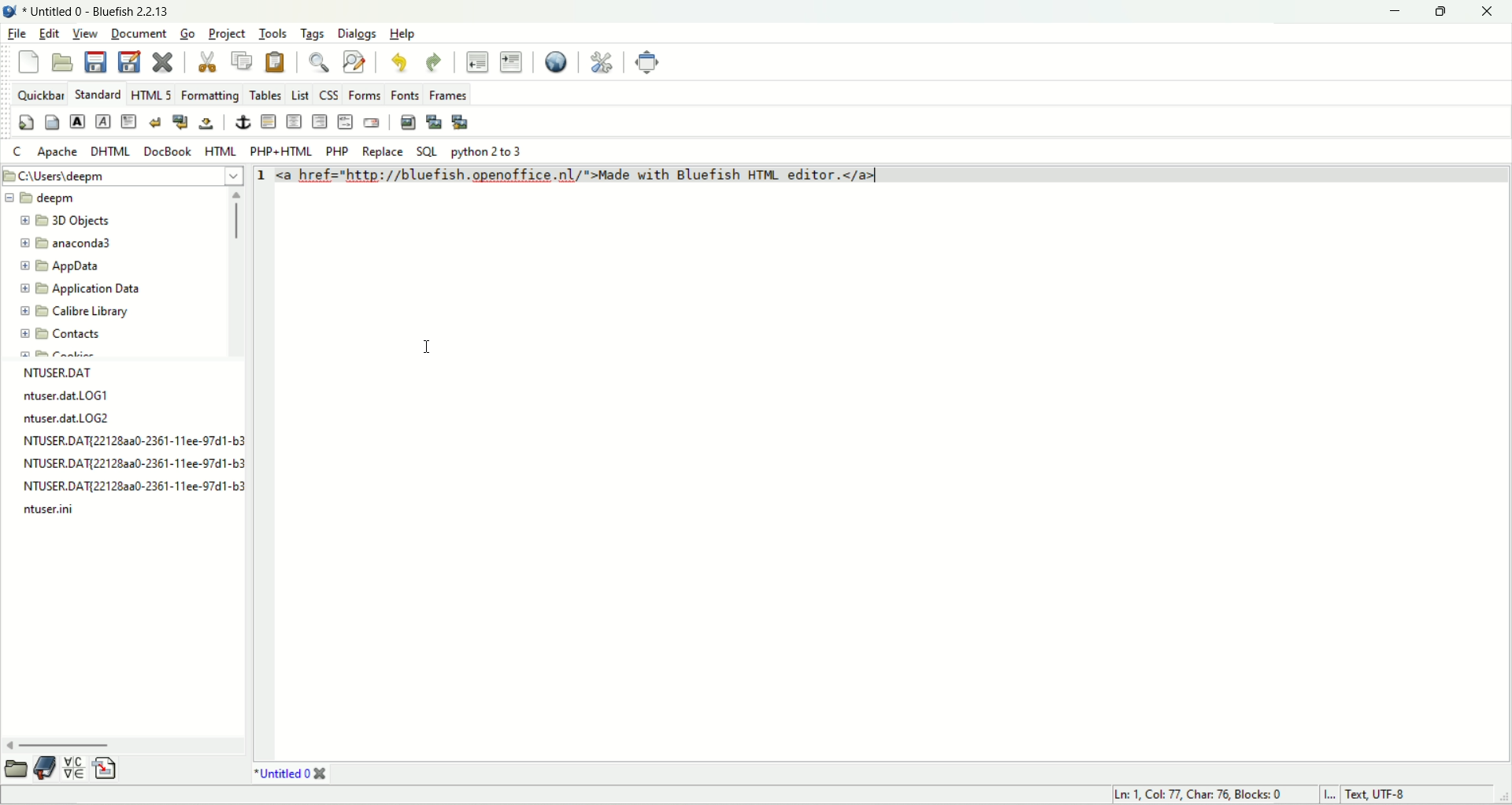 The image size is (1512, 805). I want to click on SQL, so click(426, 152).